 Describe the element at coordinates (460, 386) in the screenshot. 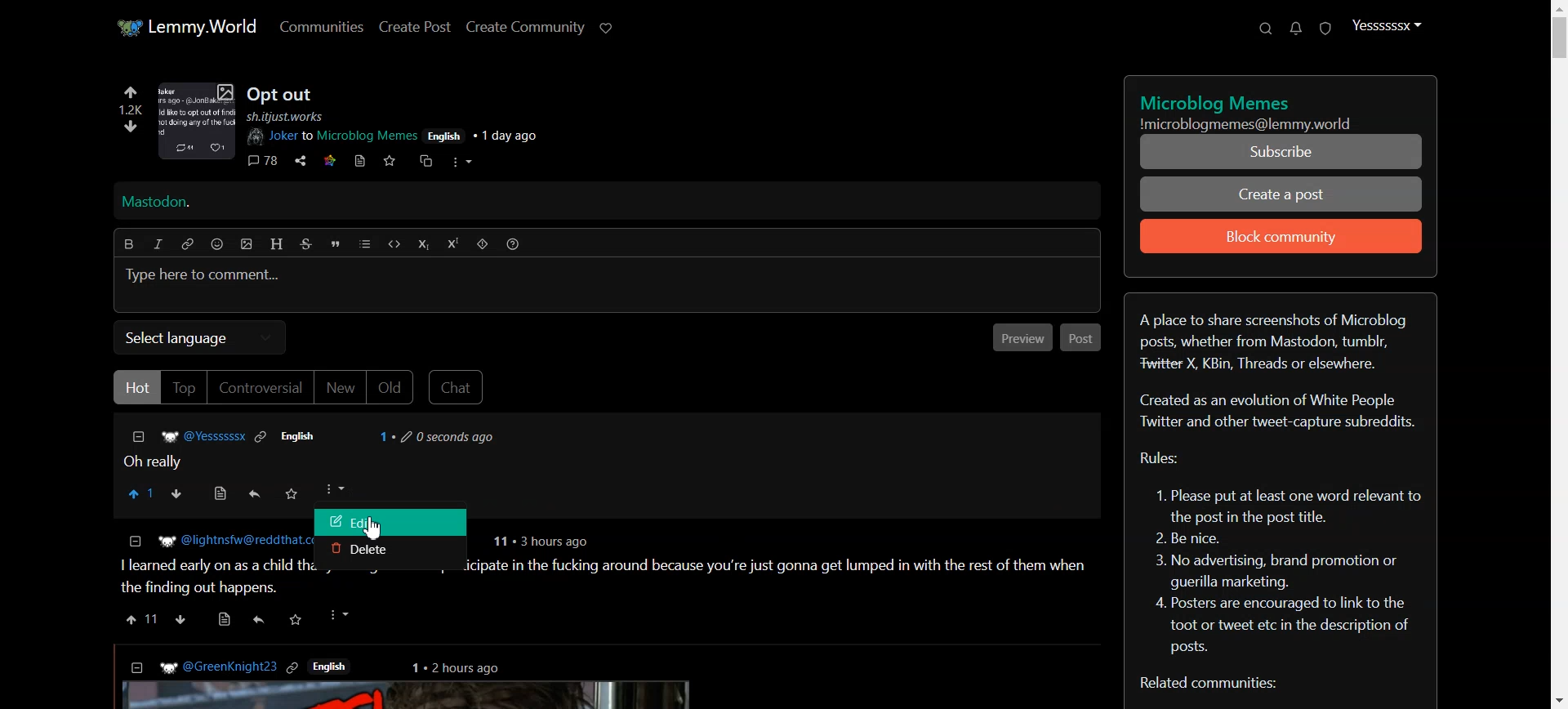

I see `Chat` at that location.